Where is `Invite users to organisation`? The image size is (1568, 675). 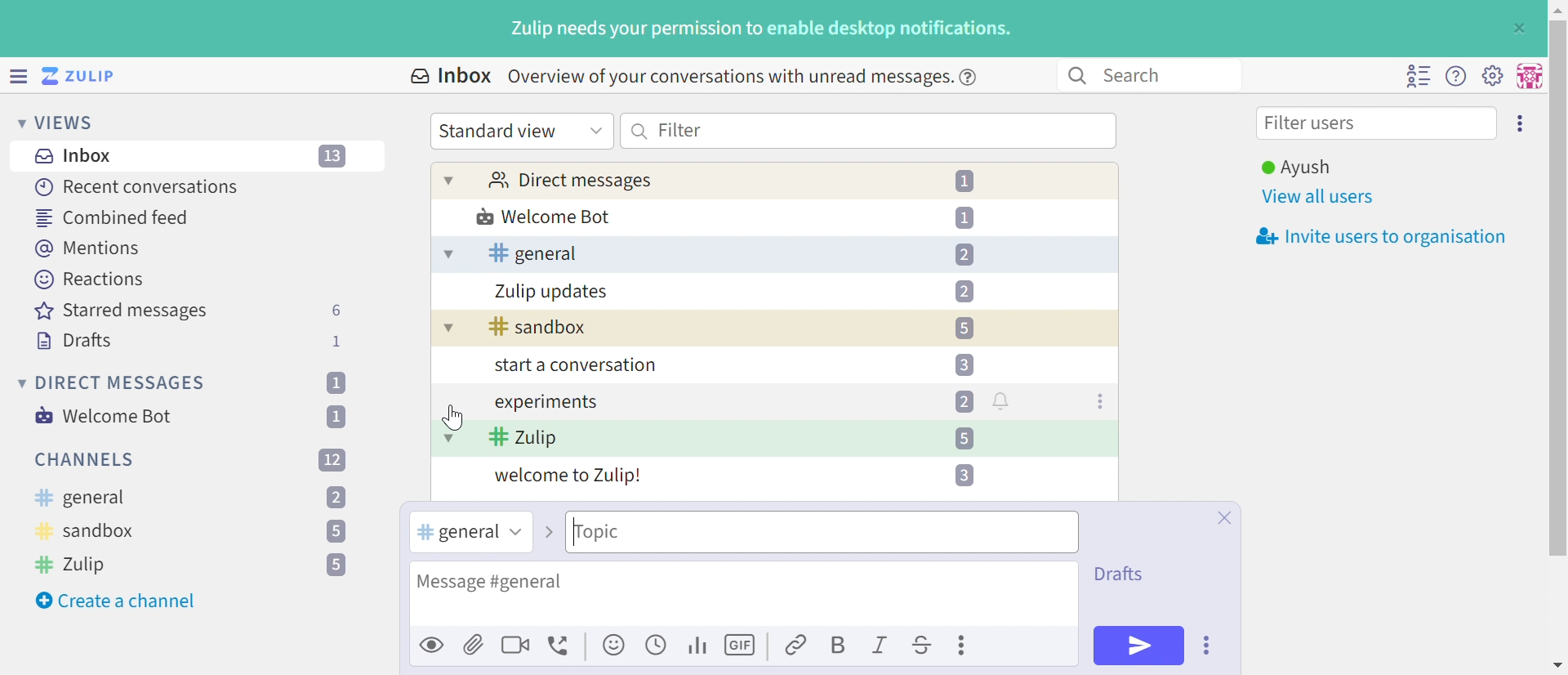
Invite users to organisation is located at coordinates (1376, 238).